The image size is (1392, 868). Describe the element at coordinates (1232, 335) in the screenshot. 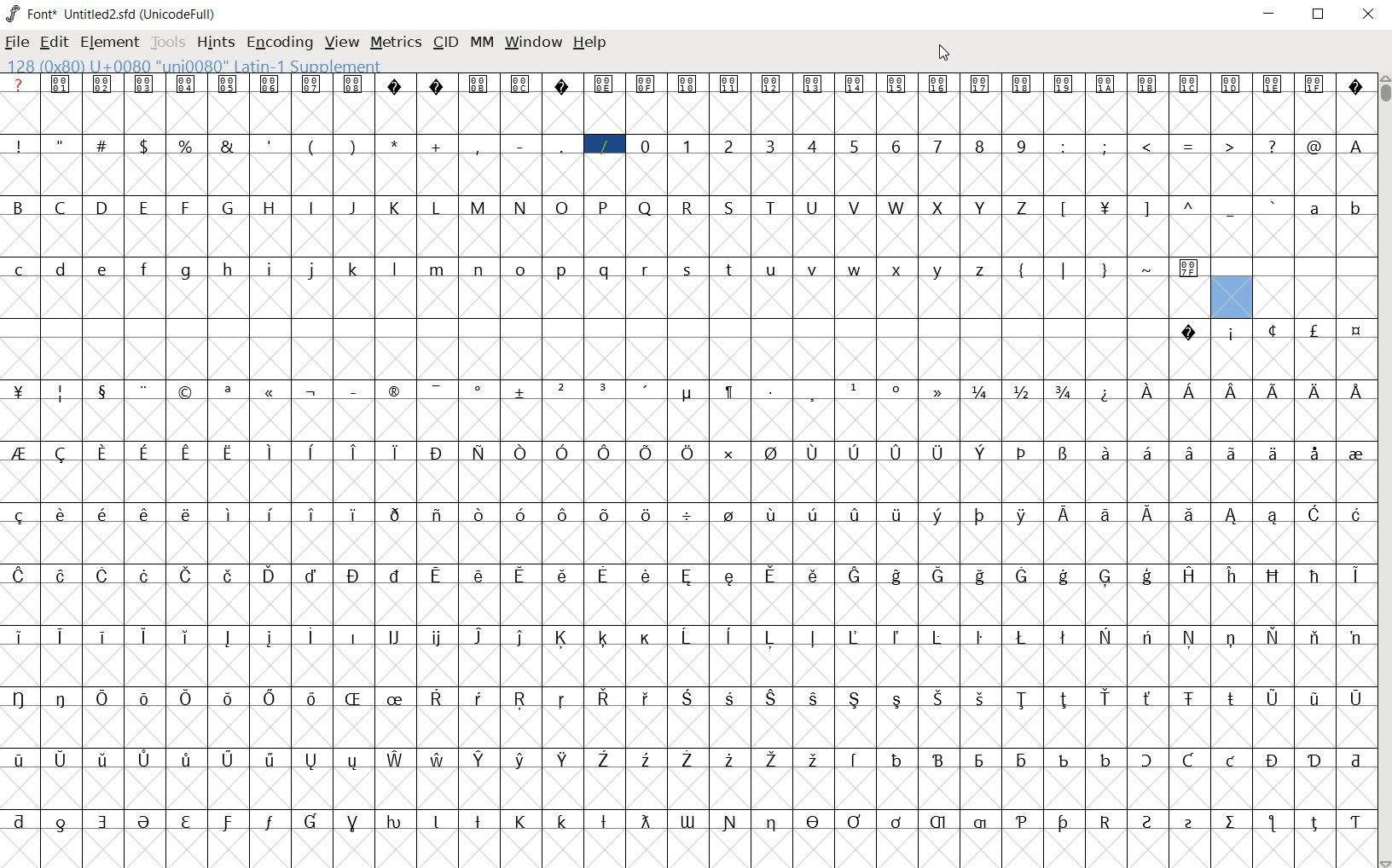

I see `glyph` at that location.